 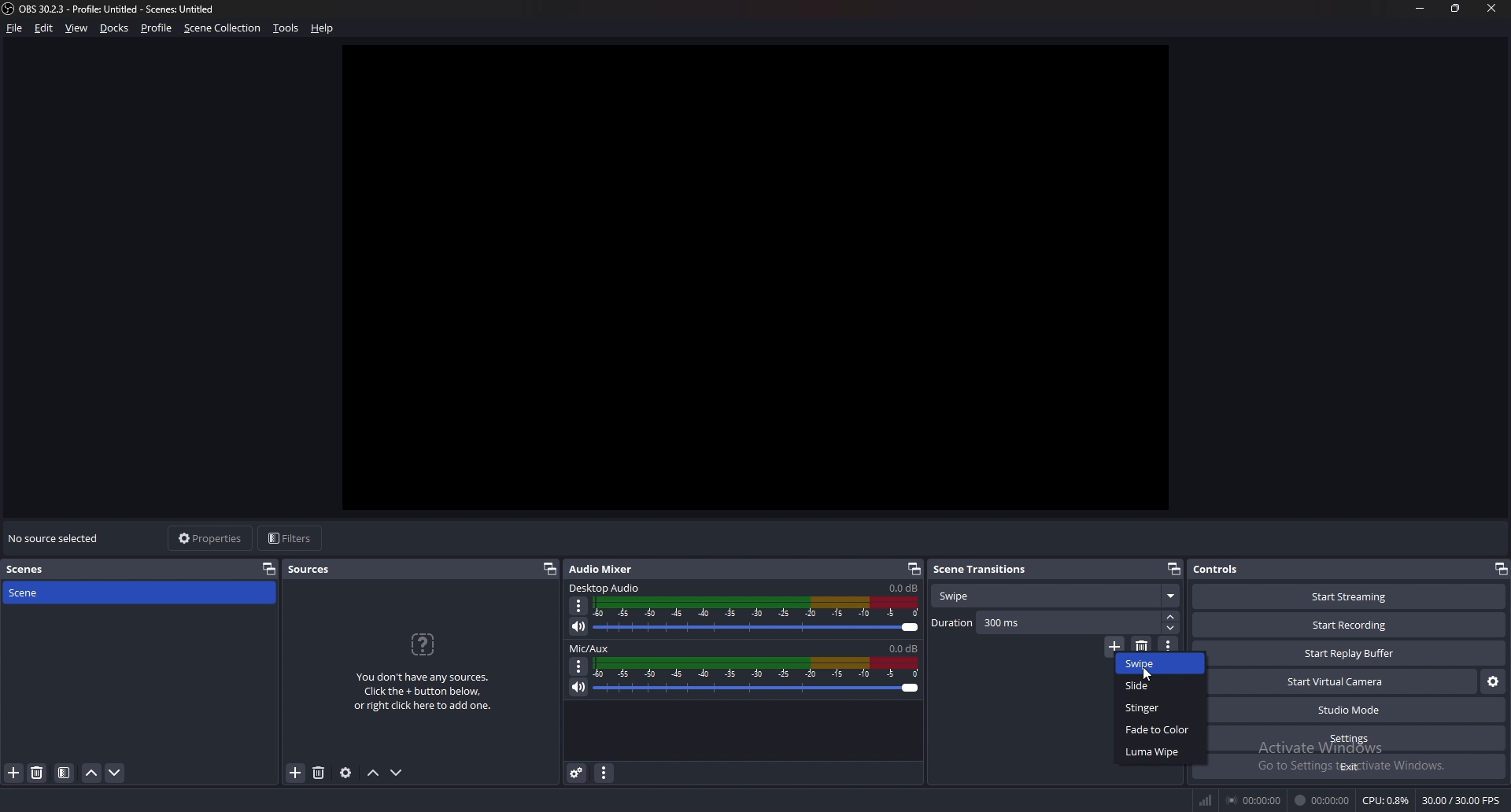 What do you see at coordinates (57, 537) in the screenshot?
I see `no source selected` at bounding box center [57, 537].